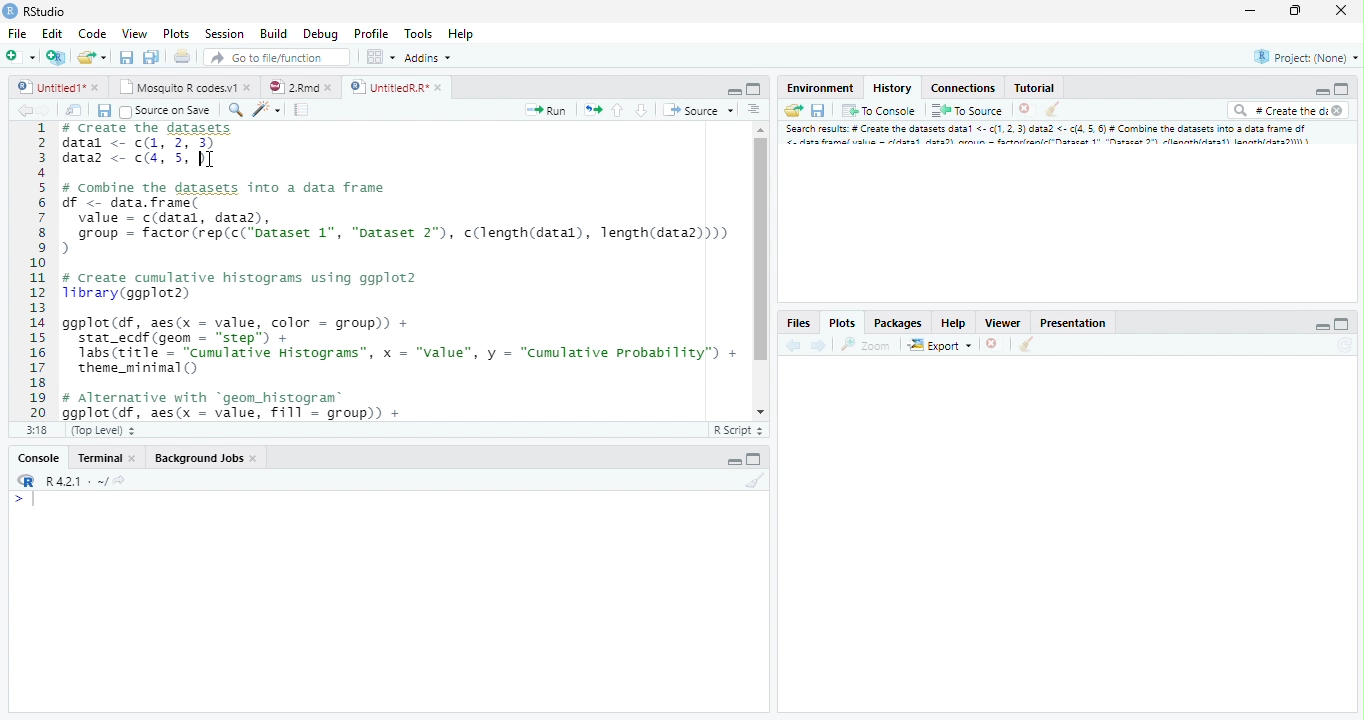 This screenshot has height=720, width=1364. What do you see at coordinates (733, 91) in the screenshot?
I see `Minimize` at bounding box center [733, 91].